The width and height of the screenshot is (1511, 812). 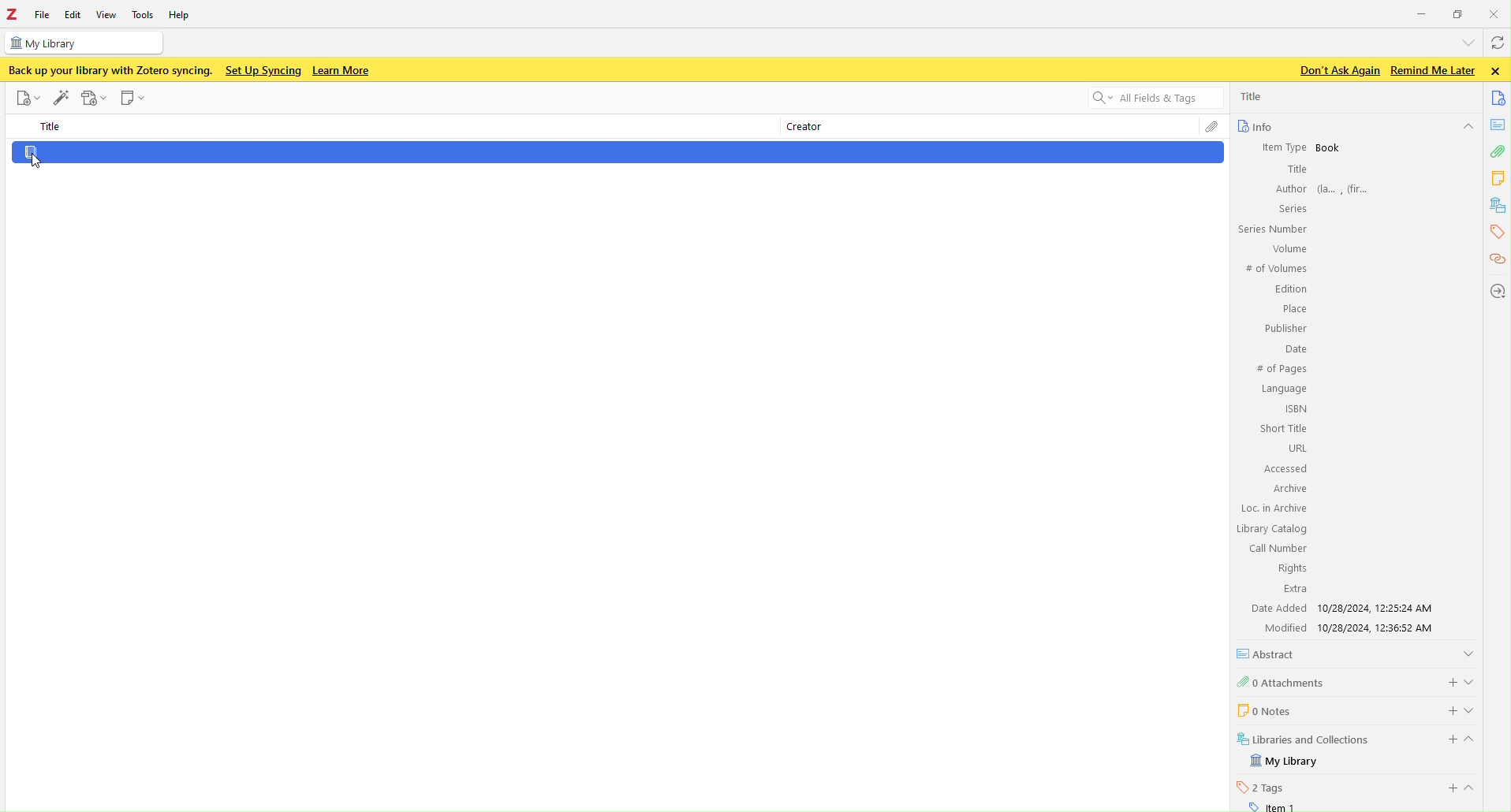 What do you see at coordinates (1253, 97) in the screenshot?
I see `title` at bounding box center [1253, 97].